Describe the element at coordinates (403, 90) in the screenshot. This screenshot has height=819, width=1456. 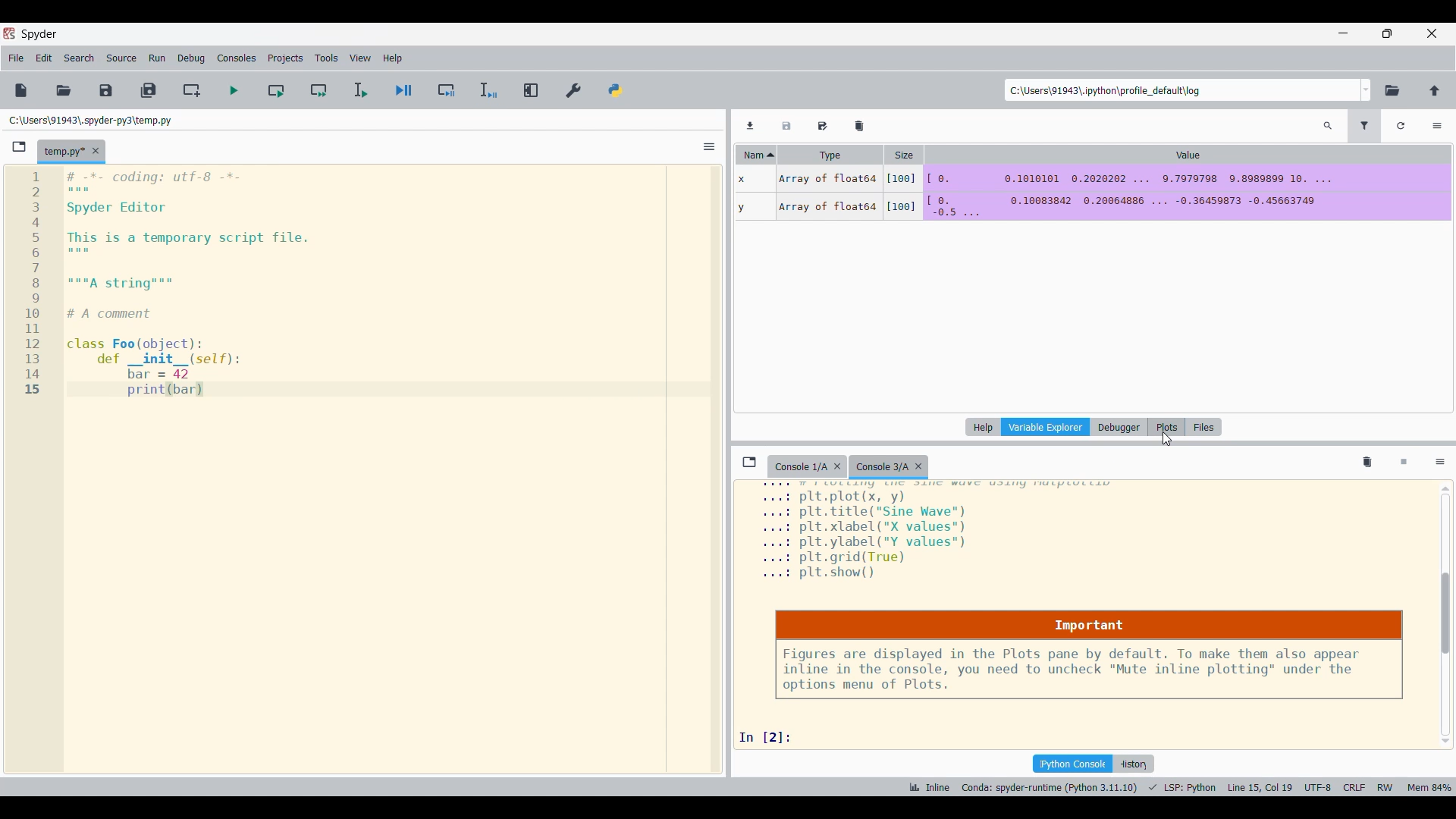
I see `Debug file` at that location.